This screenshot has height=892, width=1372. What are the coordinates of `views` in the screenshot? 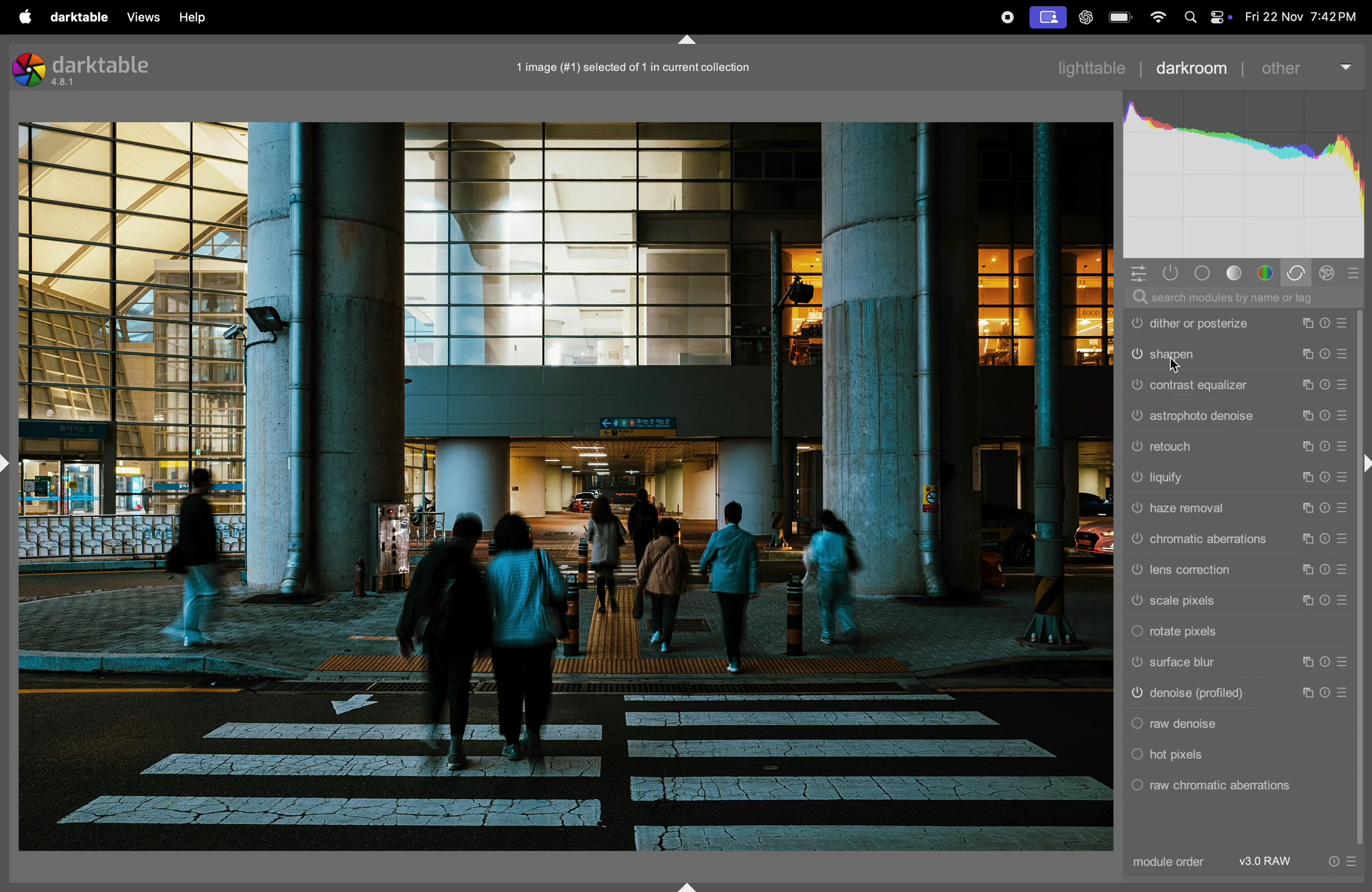 It's located at (144, 17).